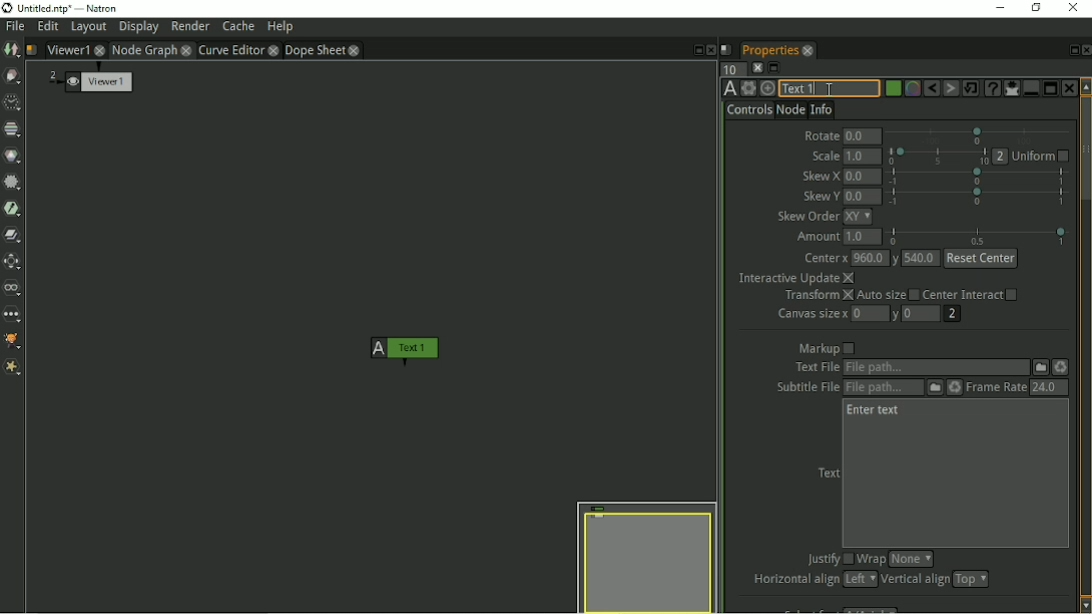  Describe the element at coordinates (8, 8) in the screenshot. I see `logo` at that location.